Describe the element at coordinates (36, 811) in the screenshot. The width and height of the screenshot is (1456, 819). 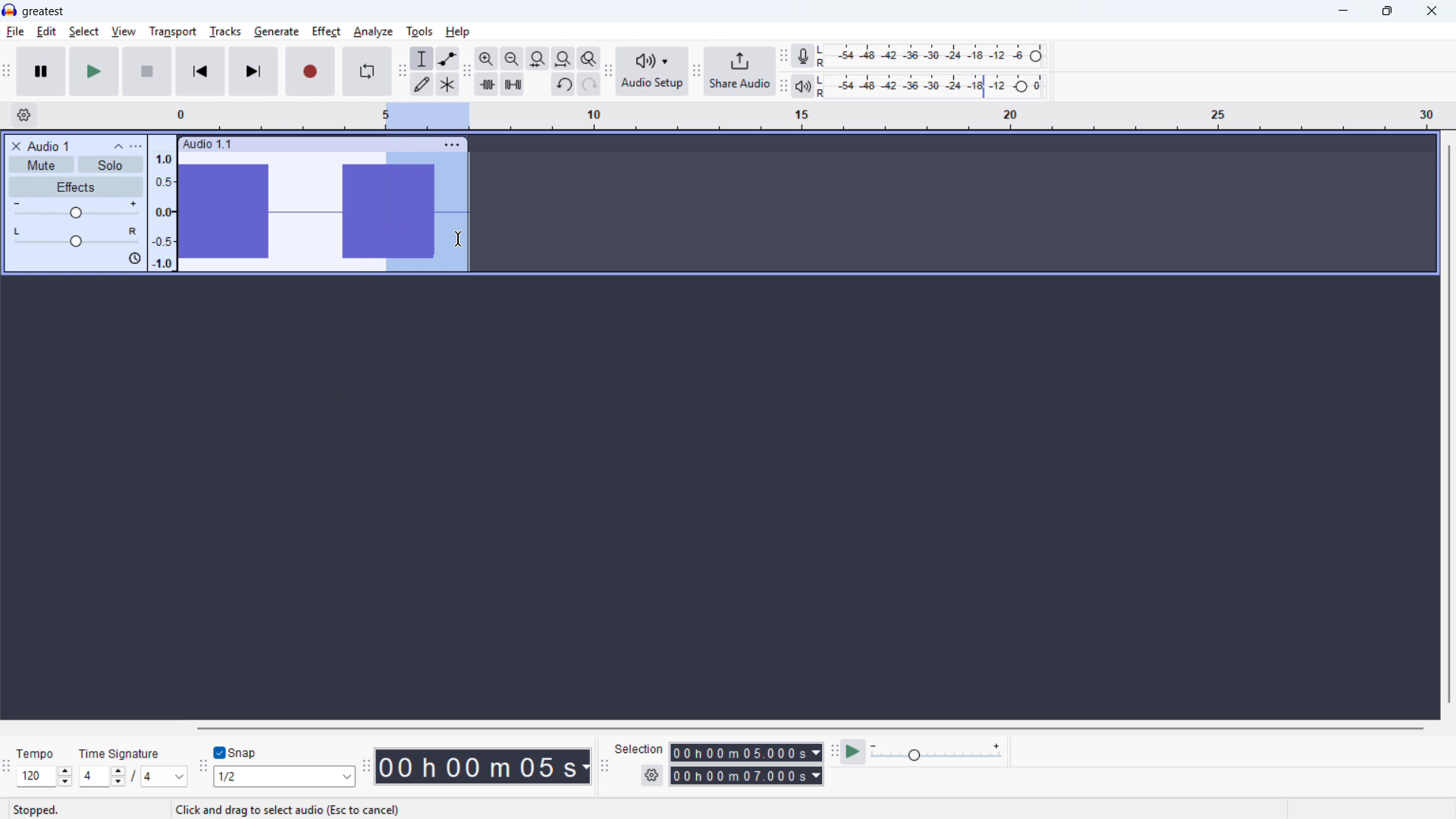
I see `stopped` at that location.